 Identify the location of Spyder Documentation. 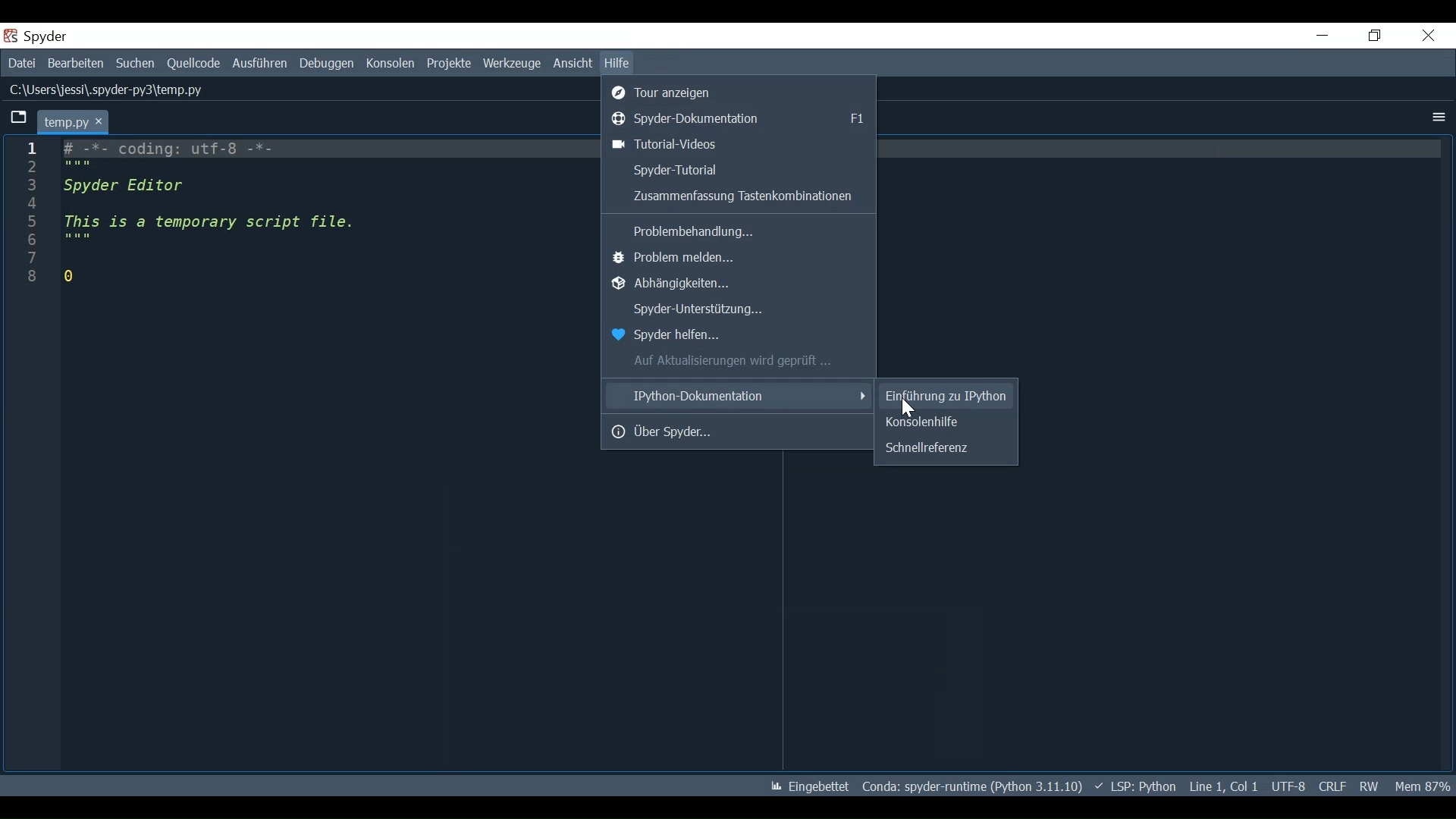
(741, 118).